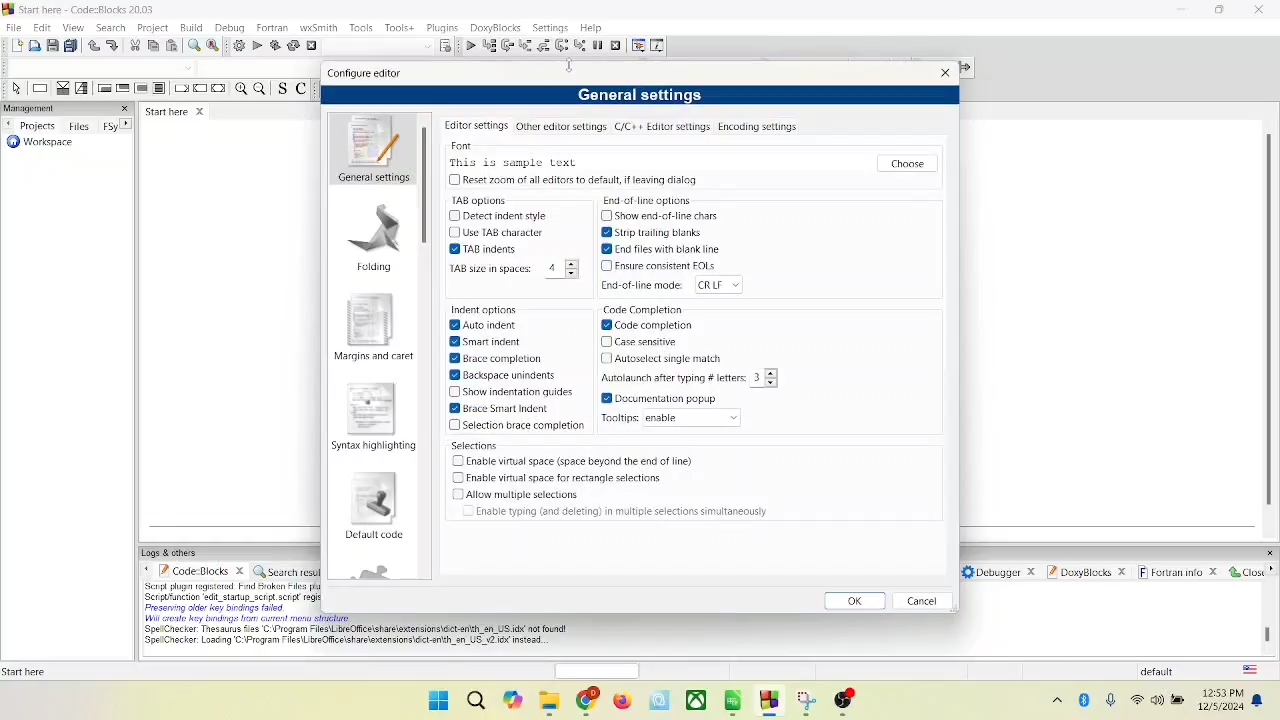 Image resolution: width=1280 pixels, height=720 pixels. I want to click on entry condition loop, so click(103, 89).